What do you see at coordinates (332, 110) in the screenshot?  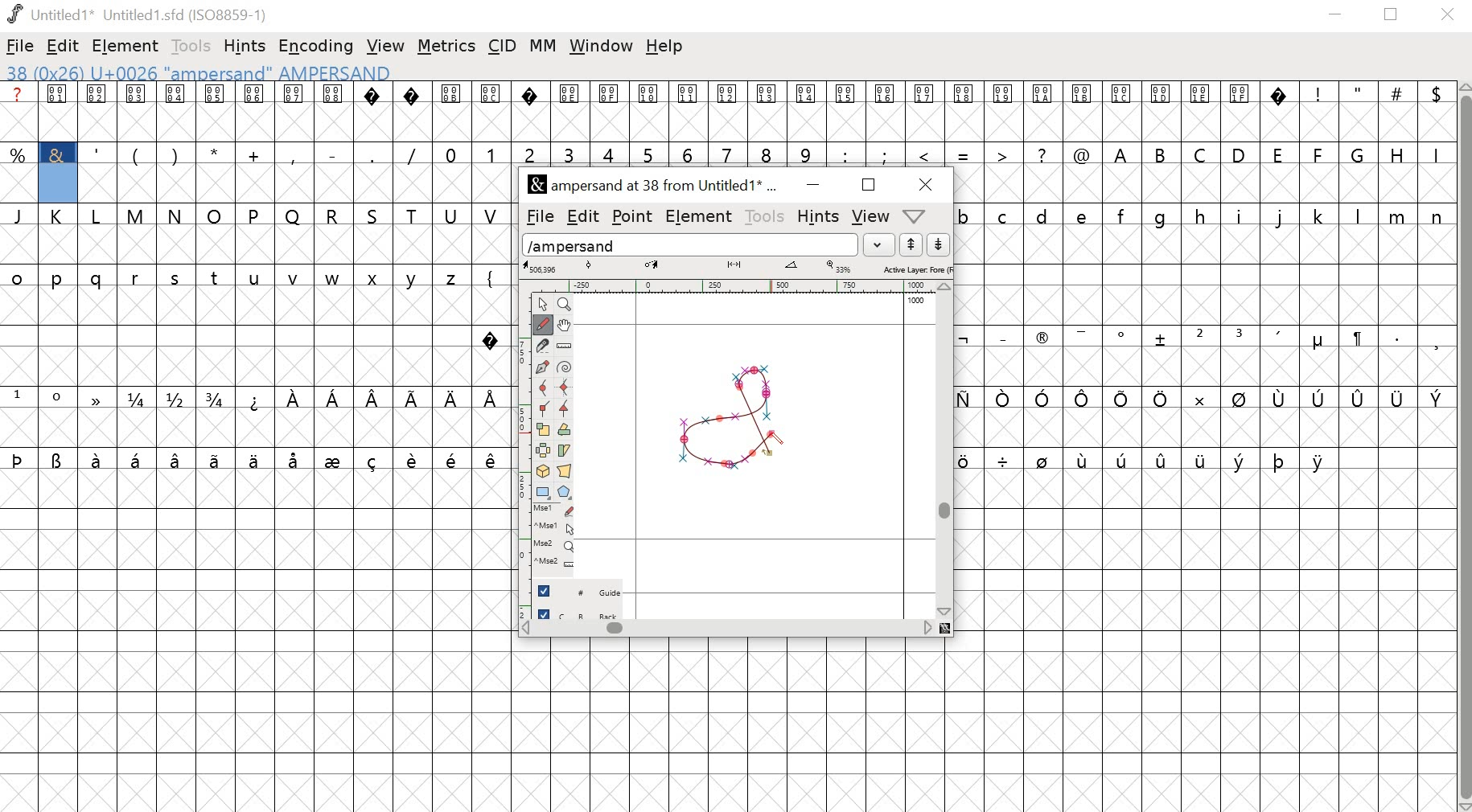 I see `0008` at bounding box center [332, 110].